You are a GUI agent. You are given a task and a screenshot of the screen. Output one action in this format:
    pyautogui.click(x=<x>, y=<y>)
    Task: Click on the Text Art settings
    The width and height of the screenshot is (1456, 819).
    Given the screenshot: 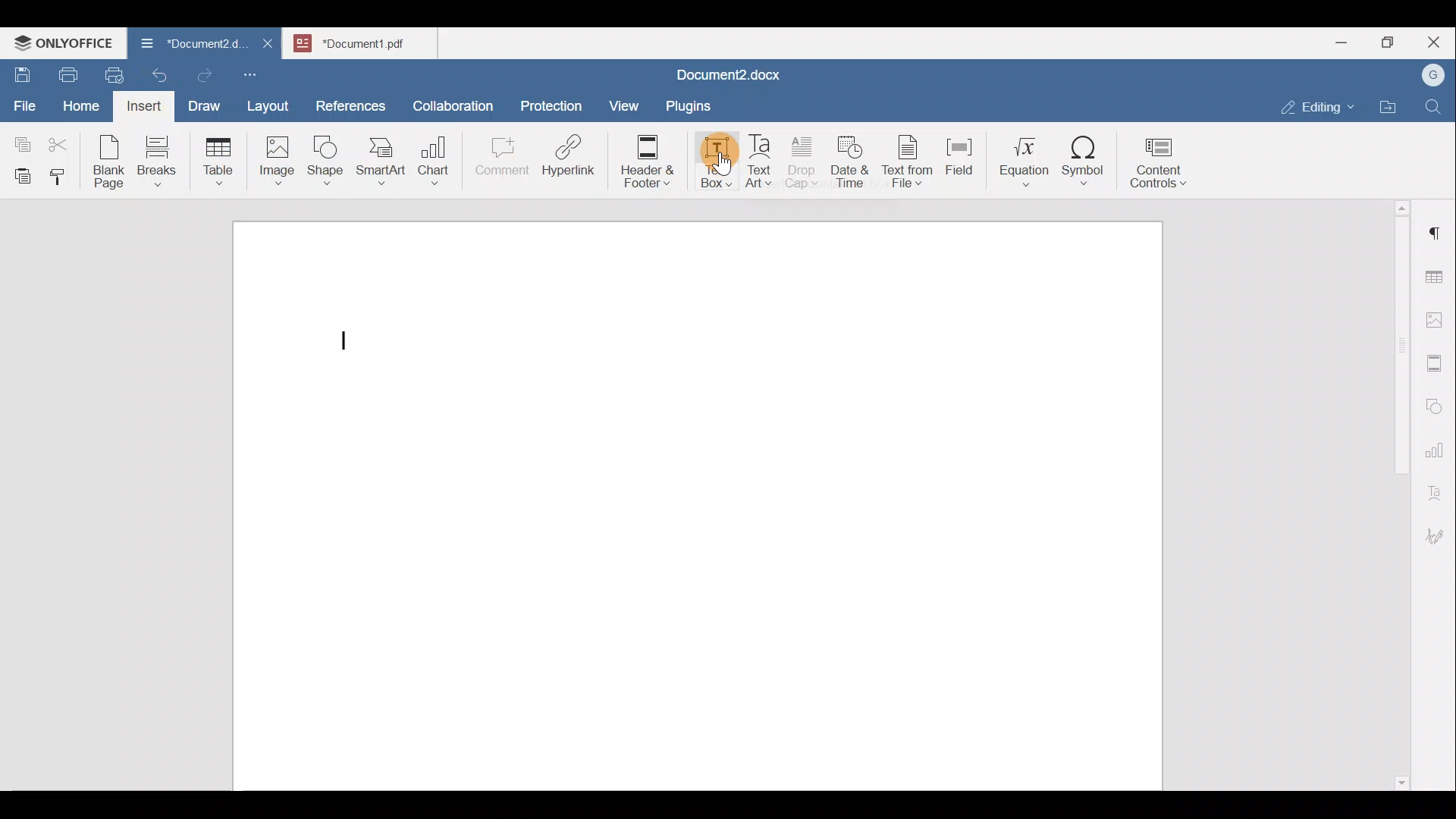 What is the action you would take?
    pyautogui.click(x=1436, y=487)
    